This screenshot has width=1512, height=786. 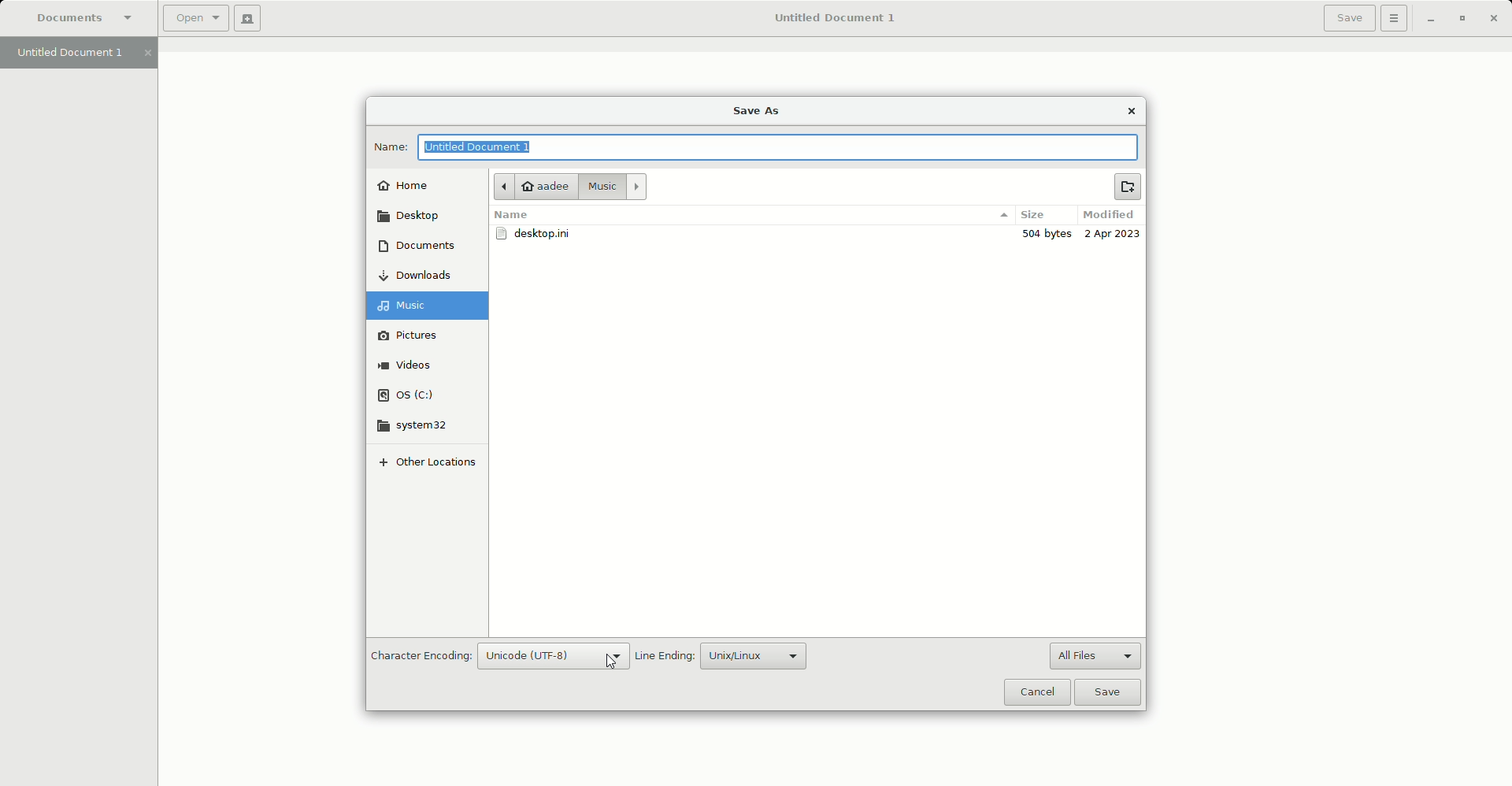 I want to click on Cancel, so click(x=1035, y=690).